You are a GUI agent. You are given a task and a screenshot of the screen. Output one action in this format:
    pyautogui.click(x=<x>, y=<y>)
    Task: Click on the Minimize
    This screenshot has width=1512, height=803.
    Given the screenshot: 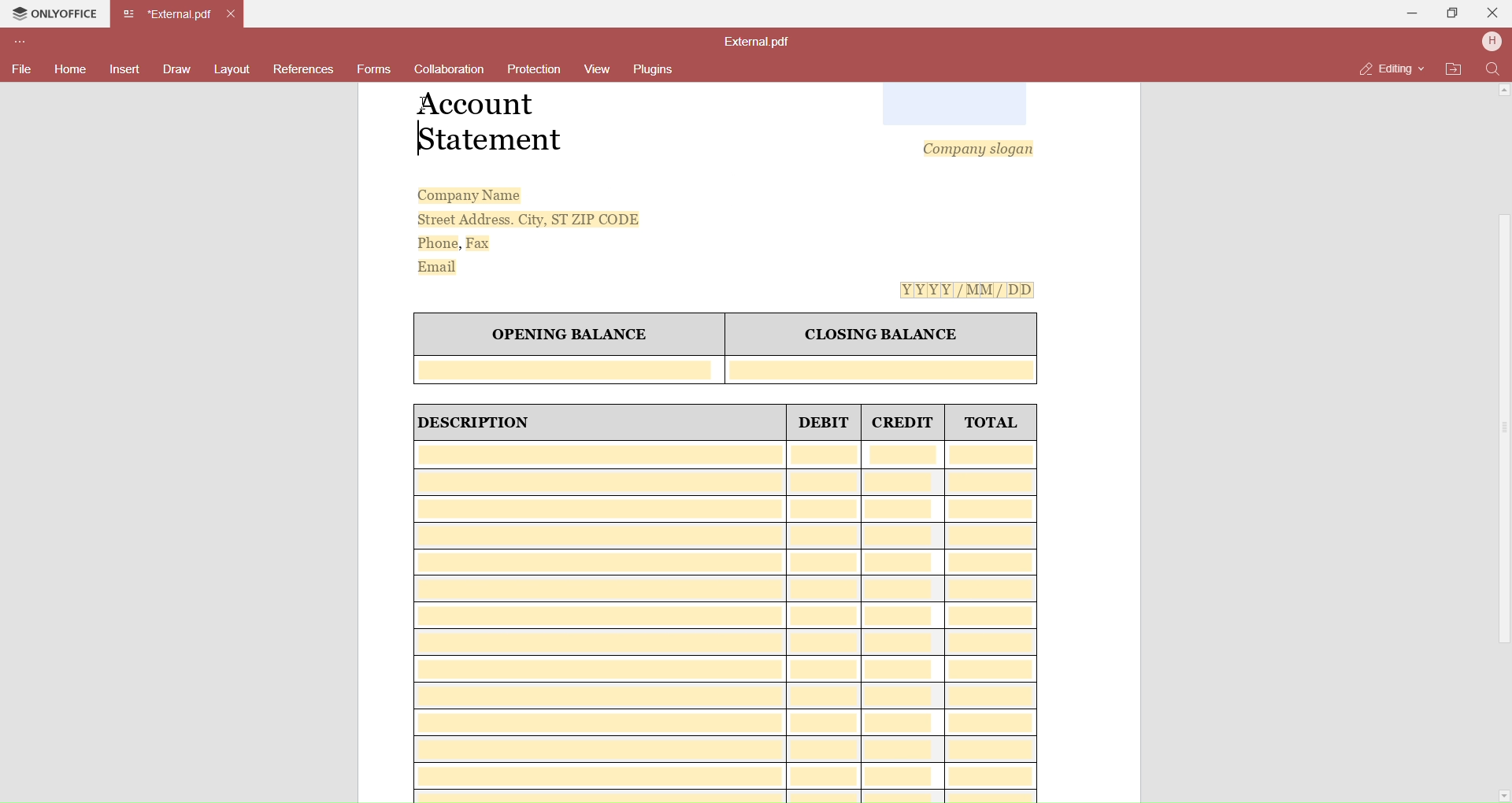 What is the action you would take?
    pyautogui.click(x=1407, y=16)
    